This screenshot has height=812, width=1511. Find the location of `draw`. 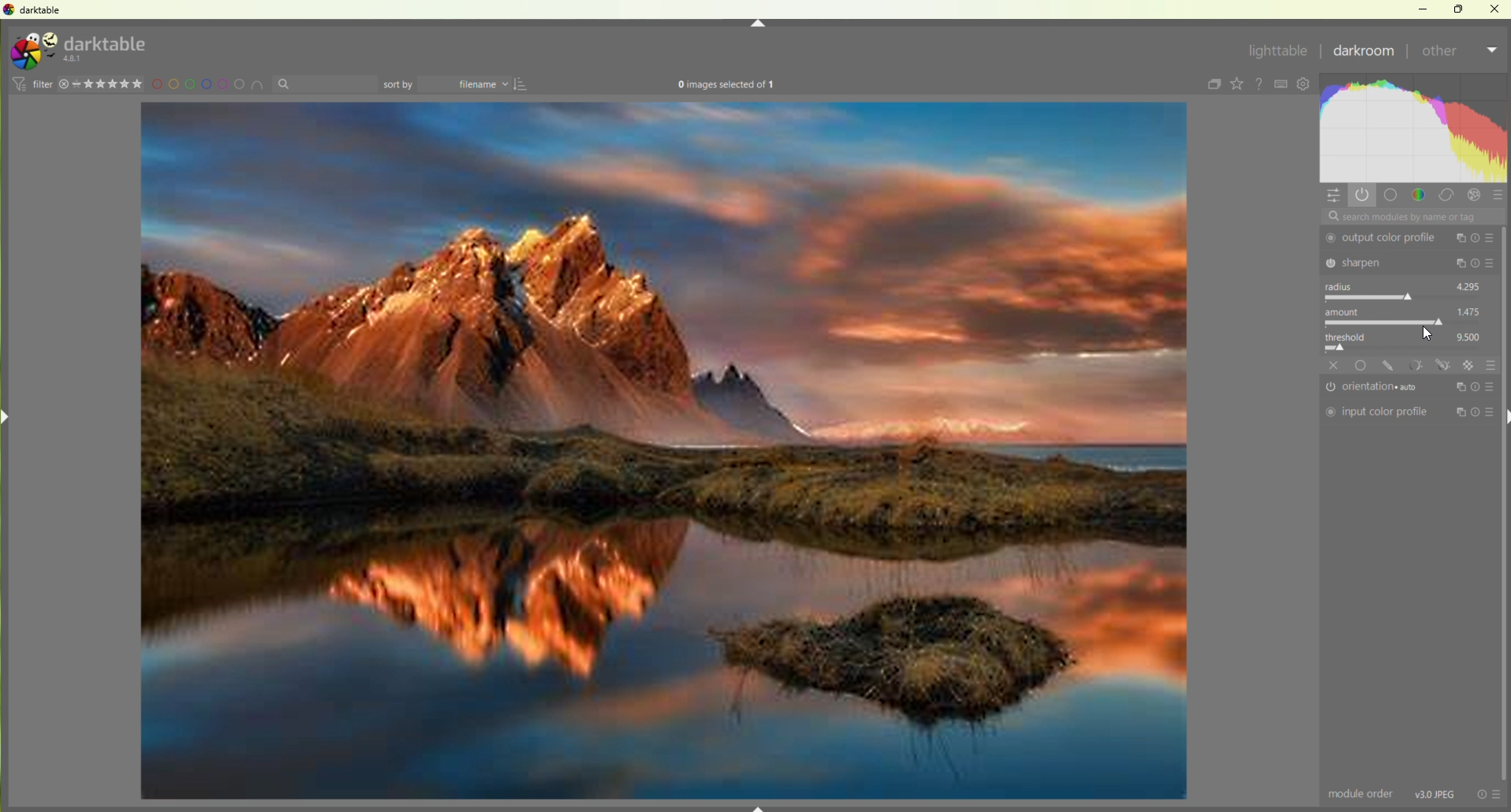

draw is located at coordinates (1390, 366).